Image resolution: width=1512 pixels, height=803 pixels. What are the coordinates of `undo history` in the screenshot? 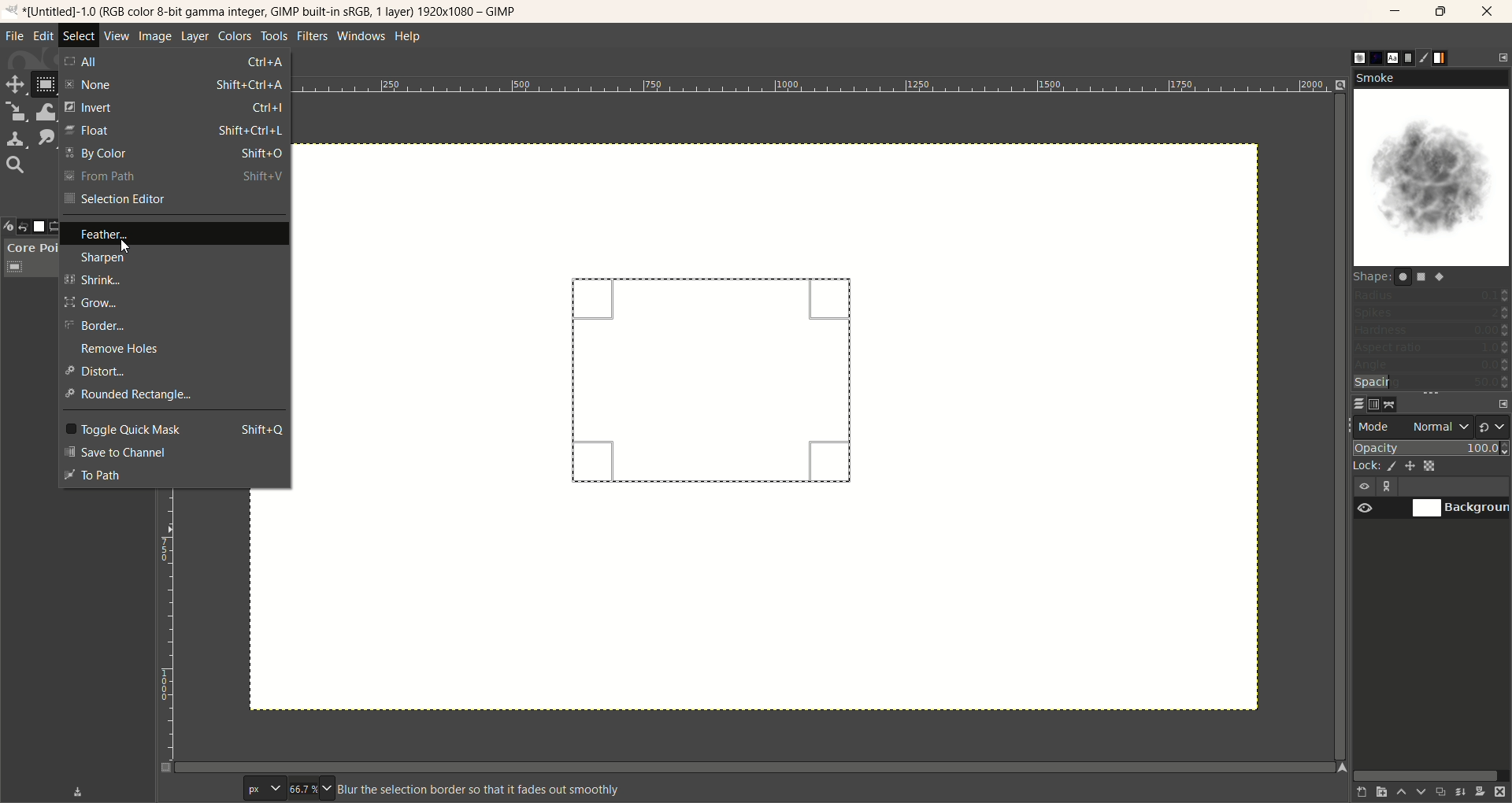 It's located at (22, 228).